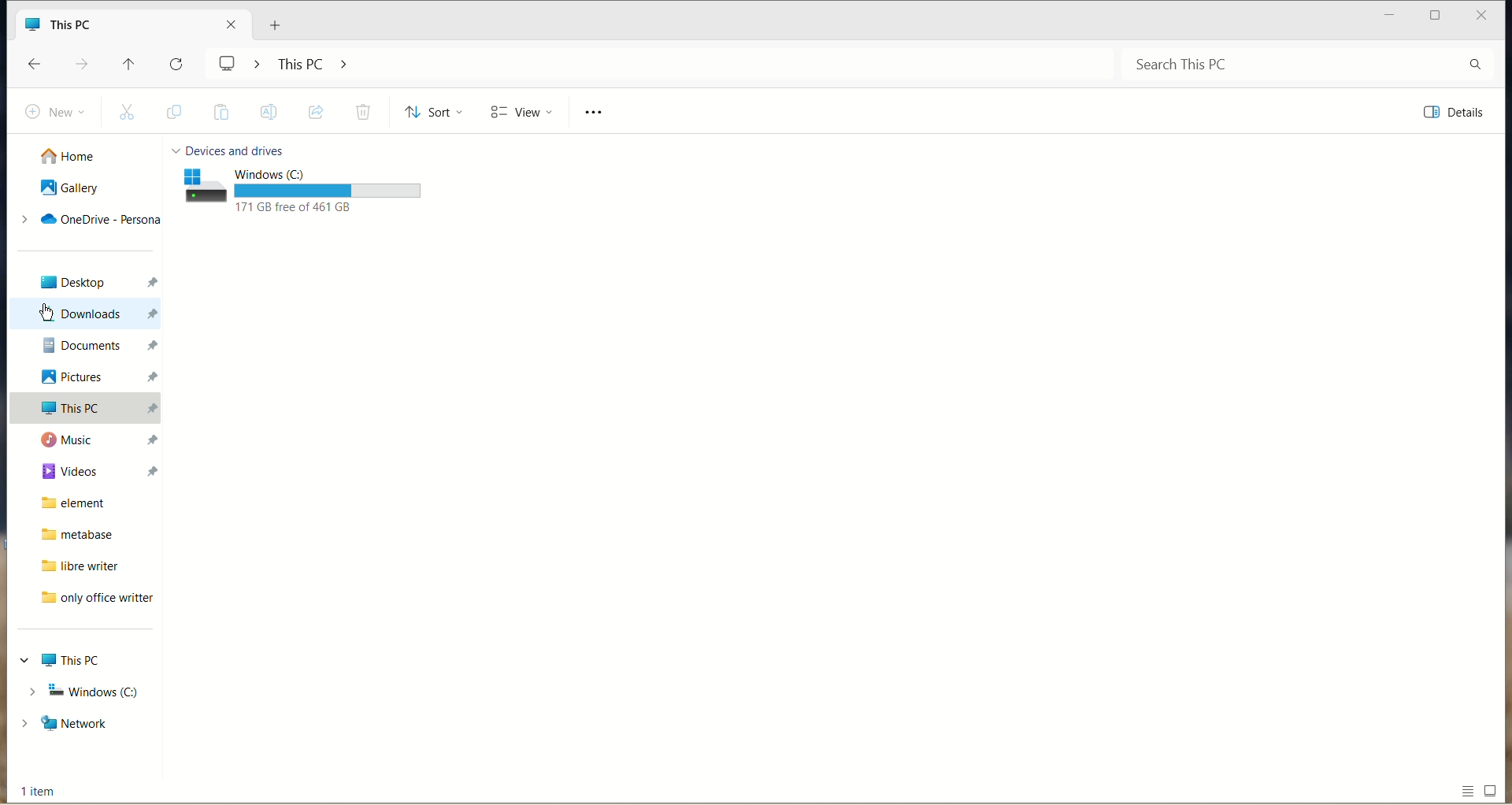  What do you see at coordinates (72, 535) in the screenshot?
I see `metabase` at bounding box center [72, 535].